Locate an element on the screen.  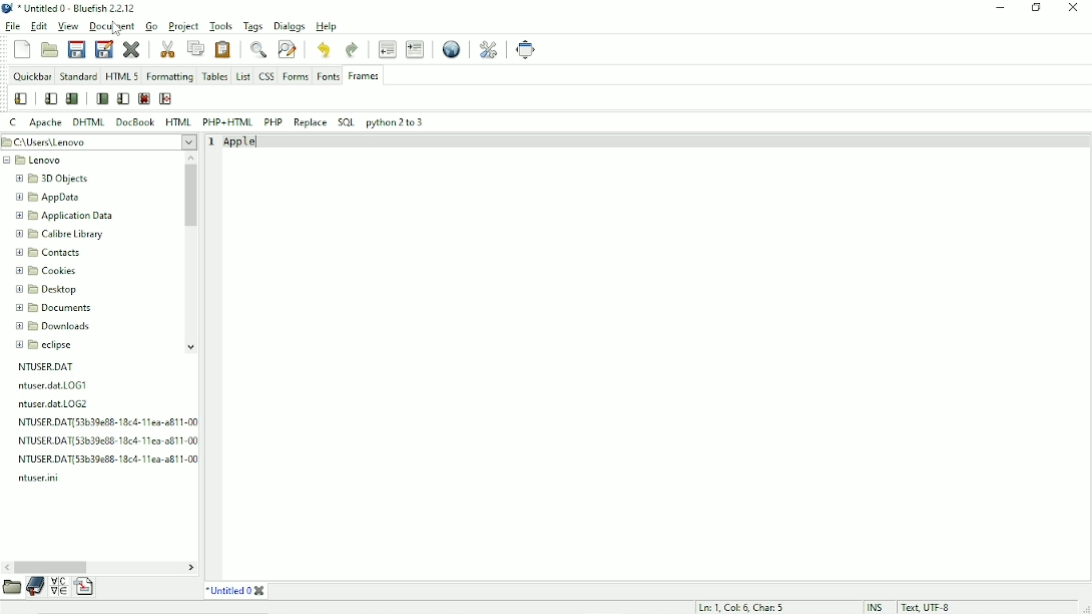
PHP+HTML is located at coordinates (227, 121).